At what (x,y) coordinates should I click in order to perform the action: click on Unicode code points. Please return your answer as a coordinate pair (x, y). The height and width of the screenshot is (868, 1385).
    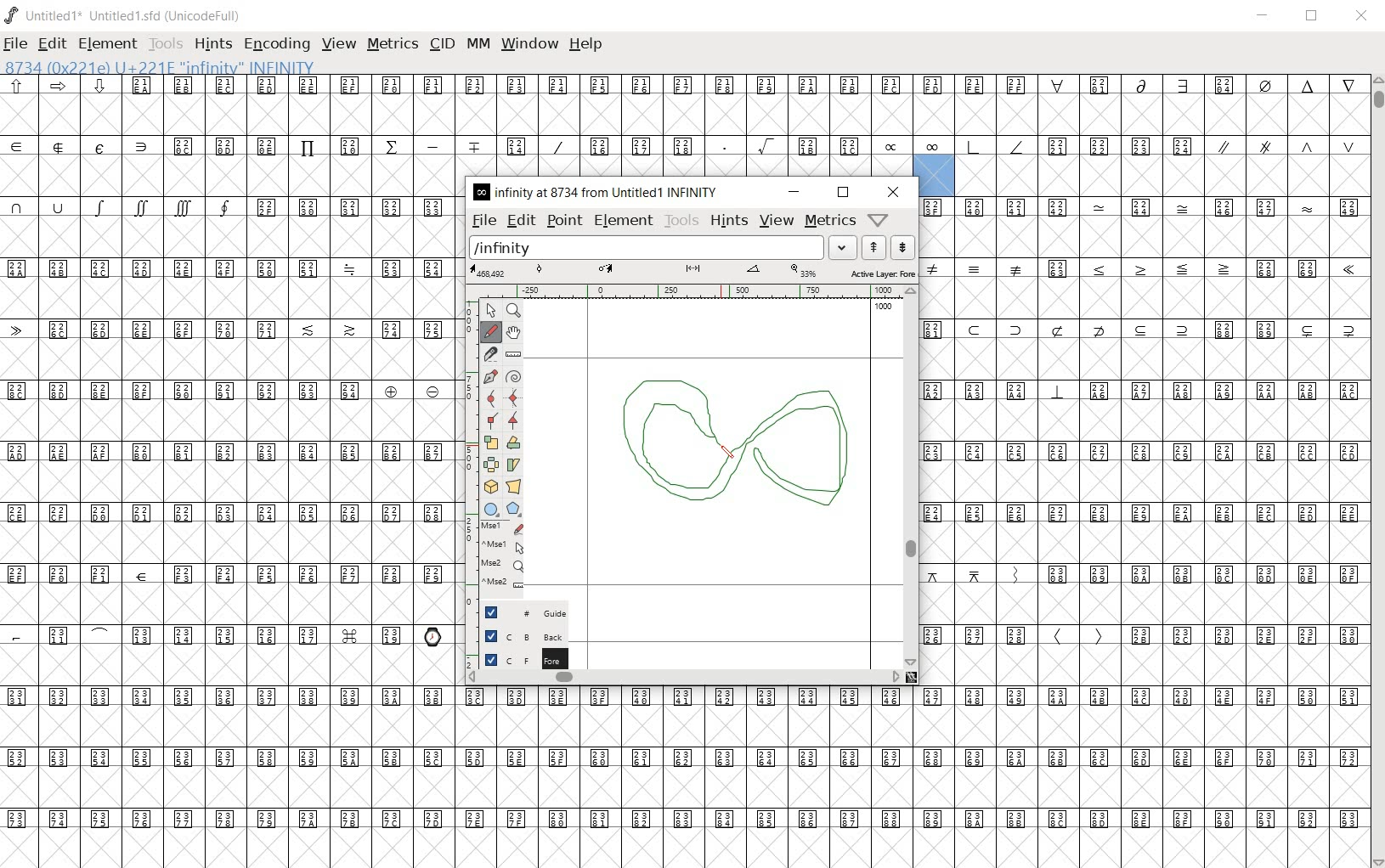
    Looking at the image, I should click on (1118, 146).